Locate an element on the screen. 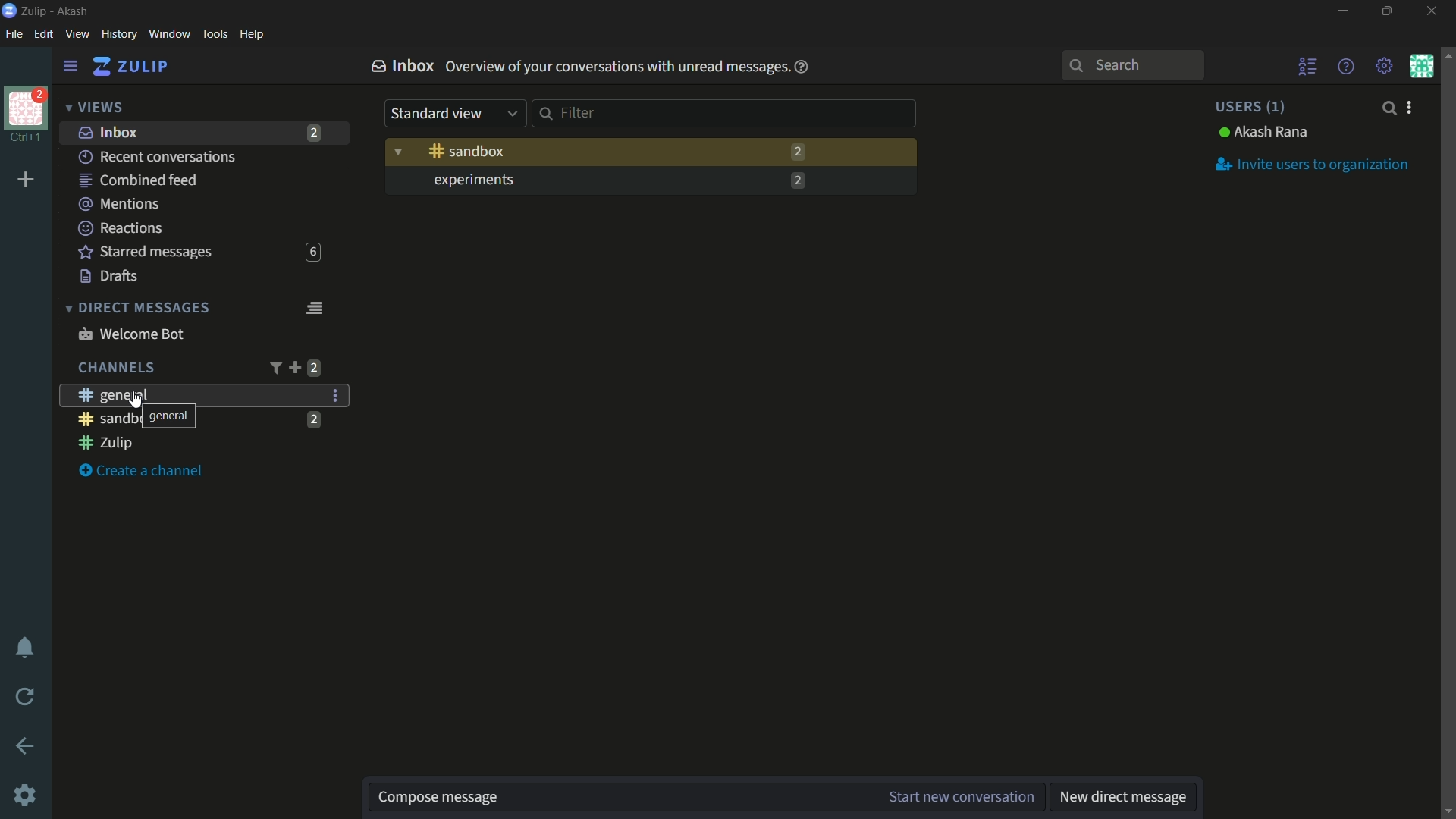  user settings is located at coordinates (1412, 107).